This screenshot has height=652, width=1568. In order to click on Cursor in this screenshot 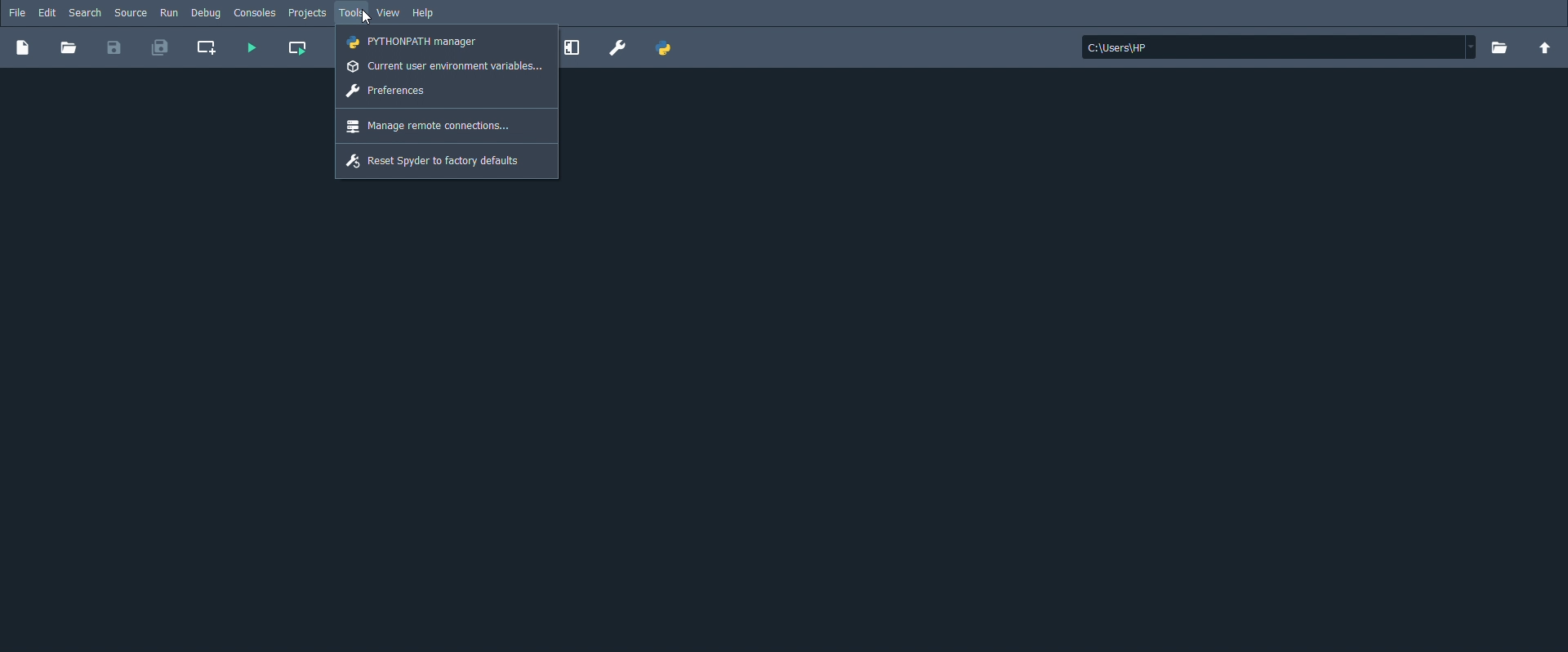, I will do `click(367, 17)`.